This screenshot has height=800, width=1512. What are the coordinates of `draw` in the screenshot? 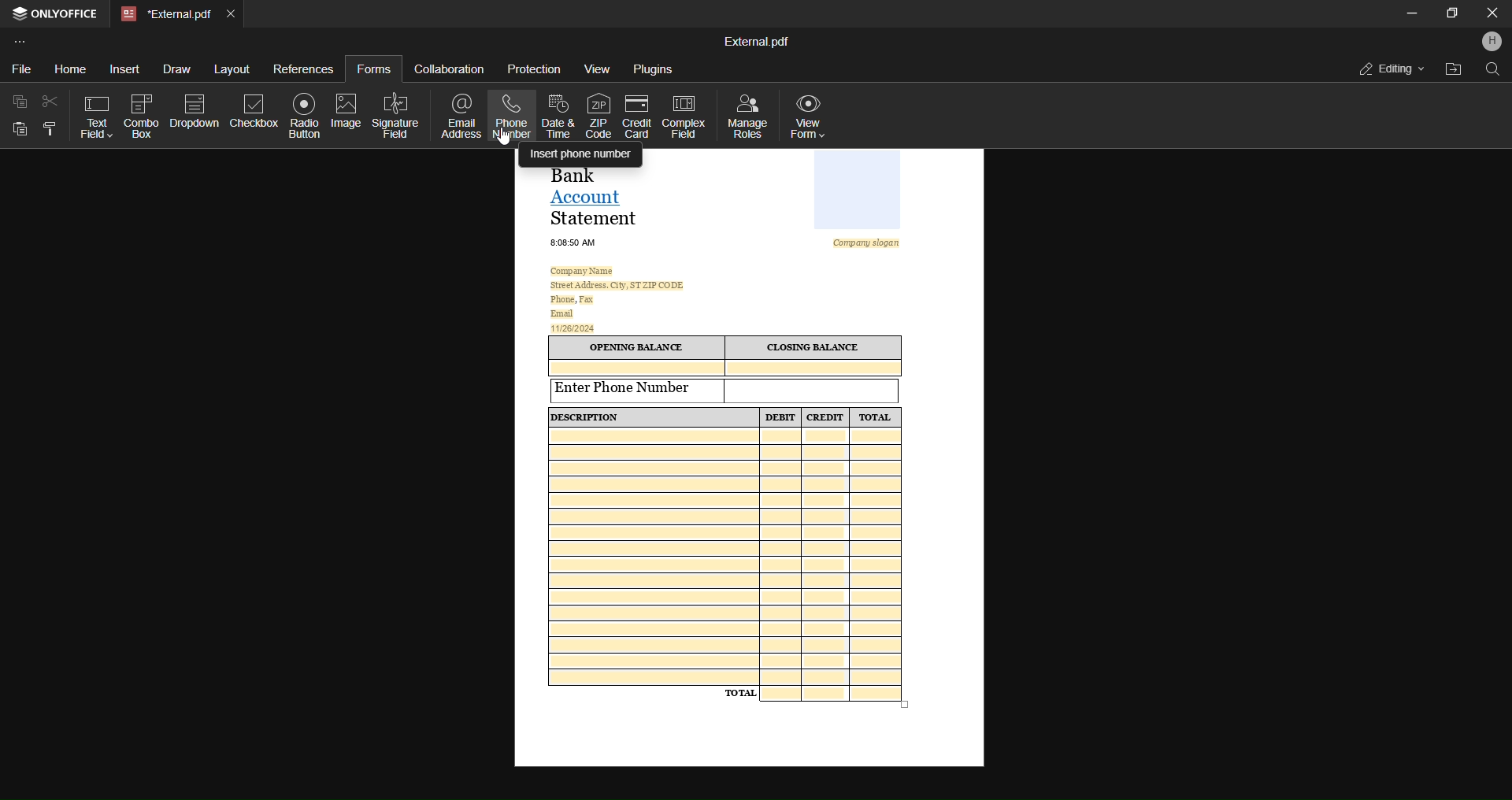 It's located at (176, 68).